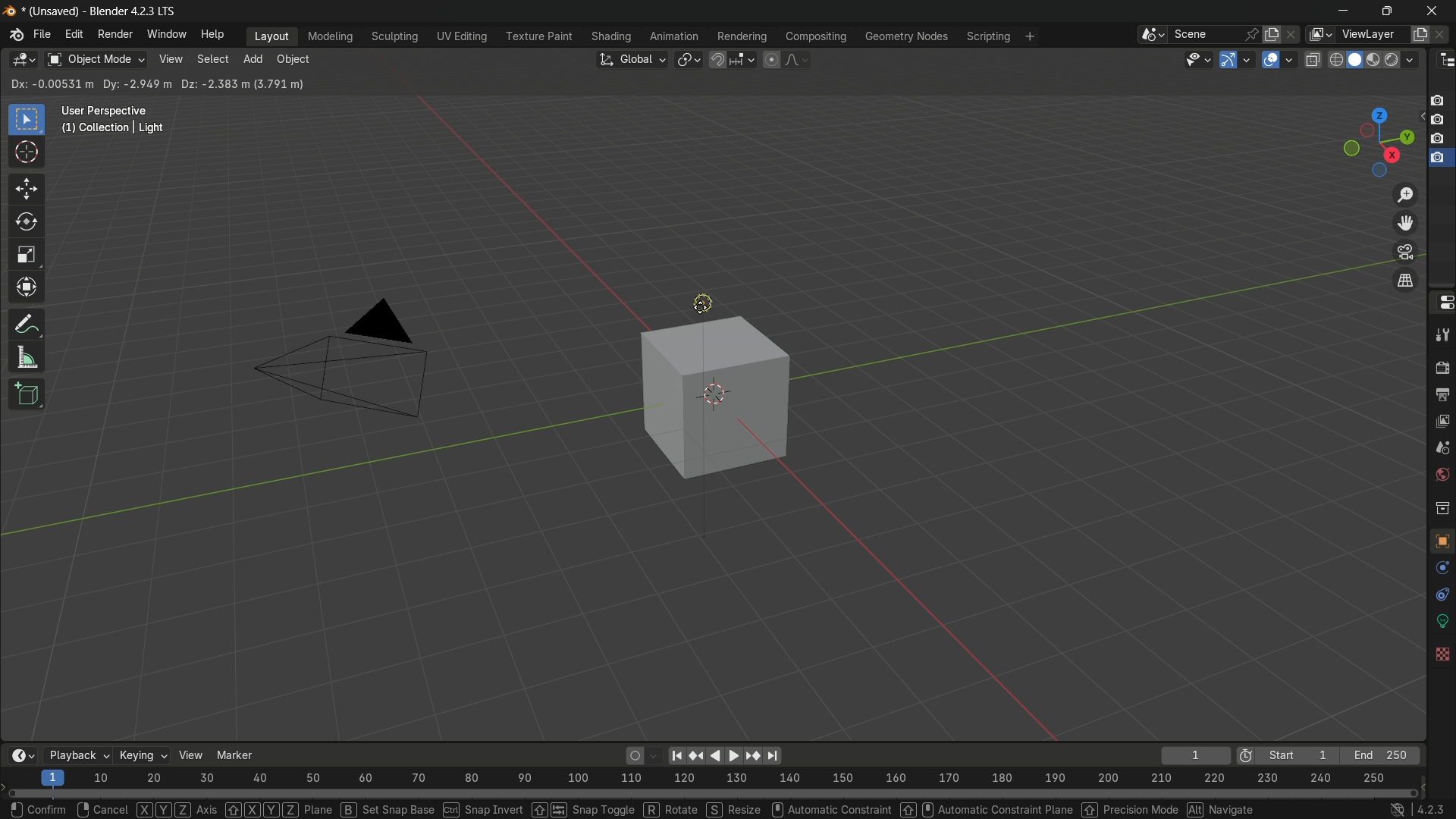 Image resolution: width=1456 pixels, height=819 pixels. Describe the element at coordinates (1382, 755) in the screenshot. I see `end` at that location.